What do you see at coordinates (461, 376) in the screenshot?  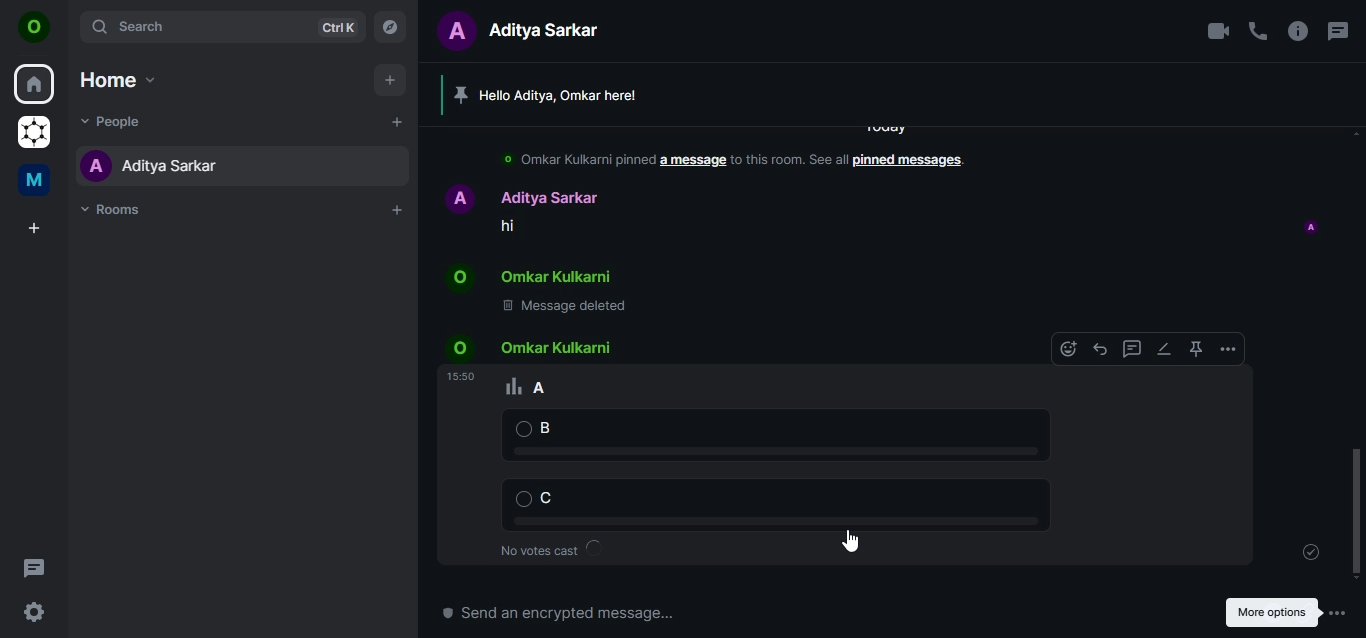 I see `15:50` at bounding box center [461, 376].